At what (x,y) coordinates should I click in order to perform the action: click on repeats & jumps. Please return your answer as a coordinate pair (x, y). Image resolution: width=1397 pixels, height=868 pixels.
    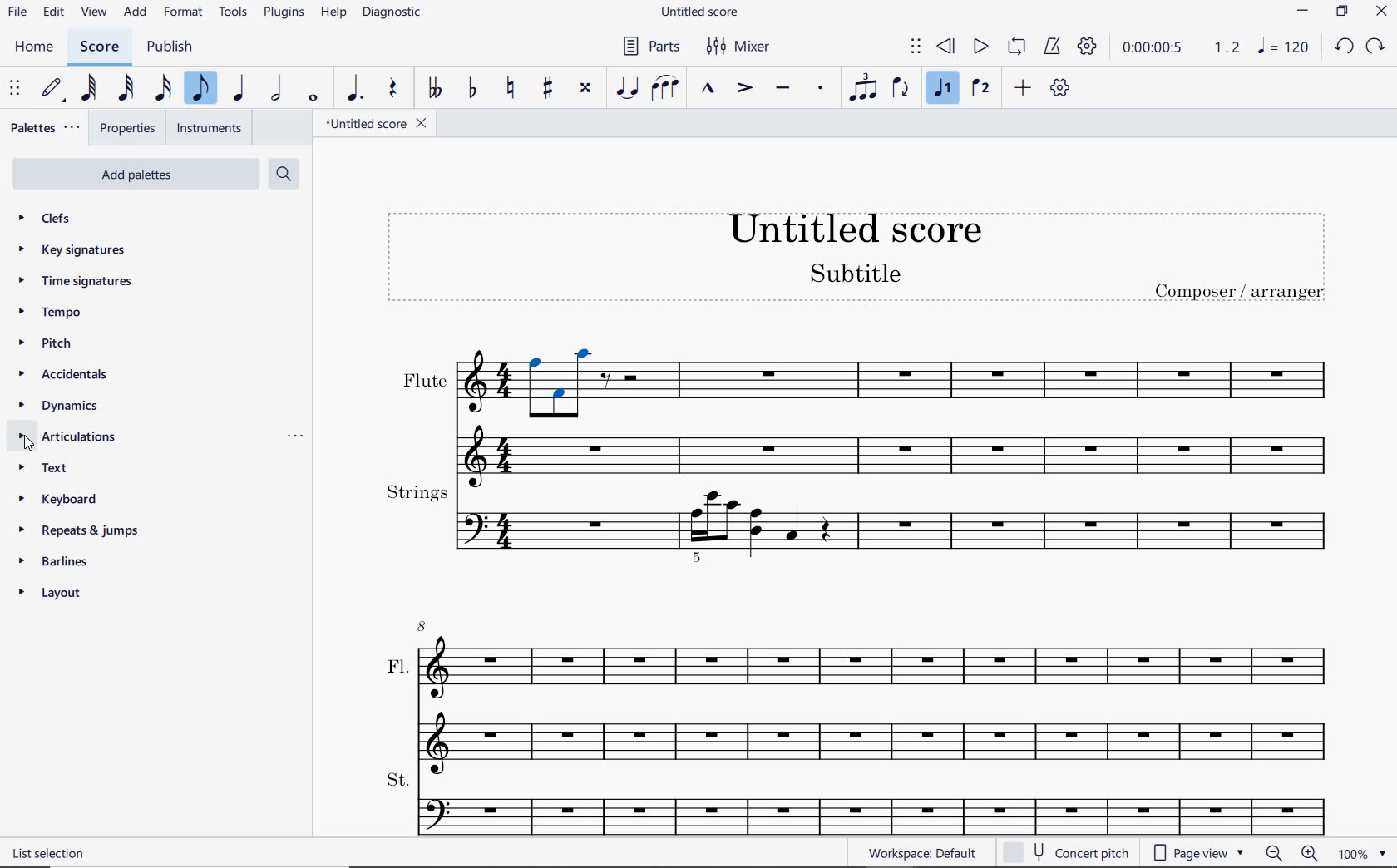
    Looking at the image, I should click on (76, 530).